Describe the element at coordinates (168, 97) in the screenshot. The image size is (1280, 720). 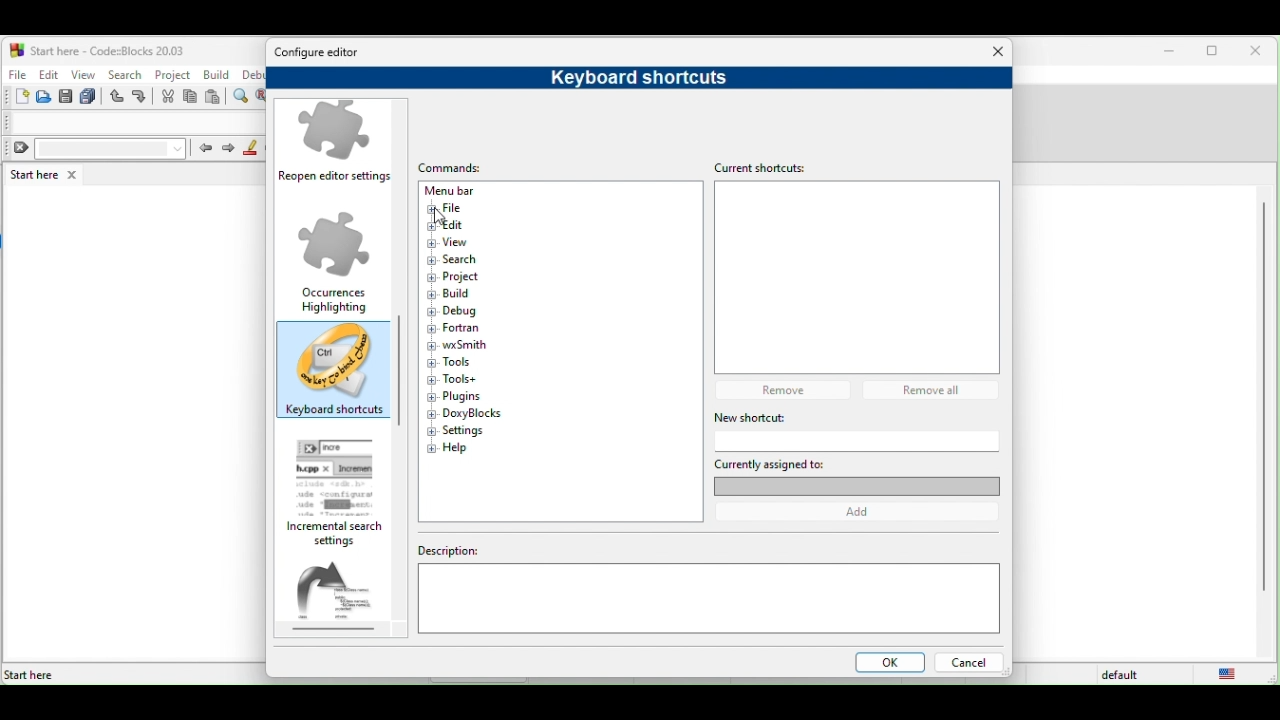
I see `cut` at that location.